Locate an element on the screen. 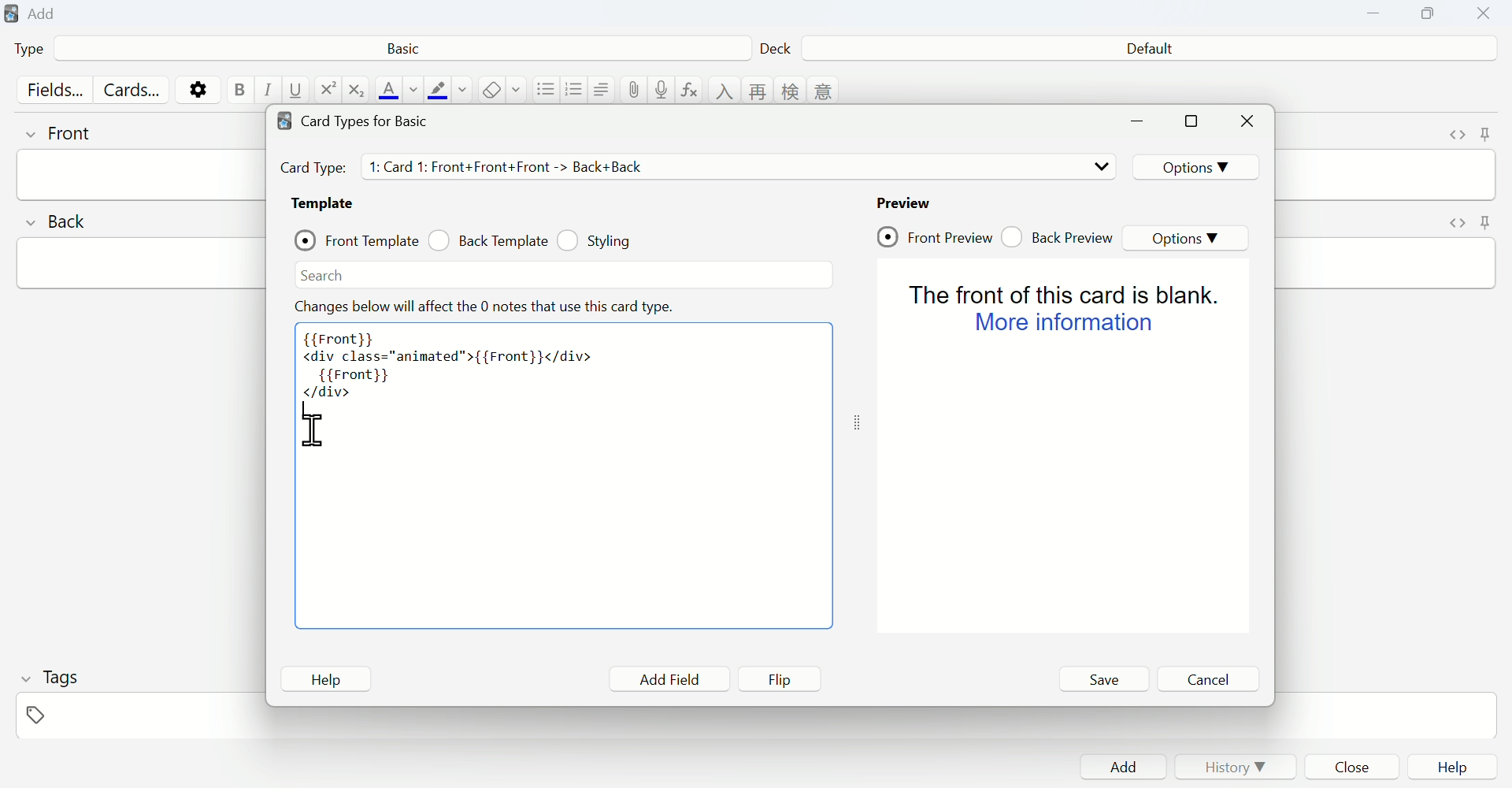  record audio is located at coordinates (661, 90).